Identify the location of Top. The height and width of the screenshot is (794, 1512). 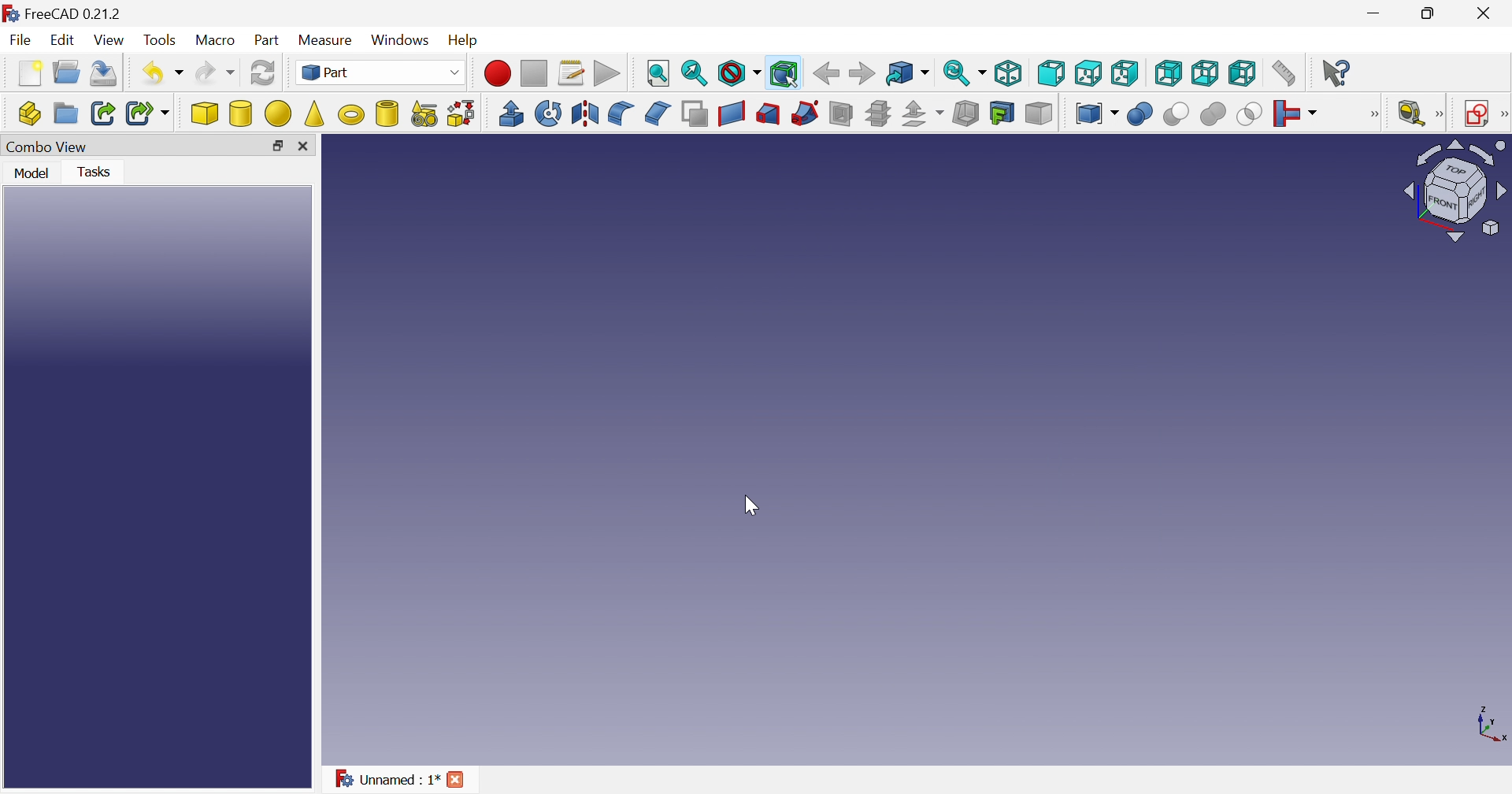
(1090, 74).